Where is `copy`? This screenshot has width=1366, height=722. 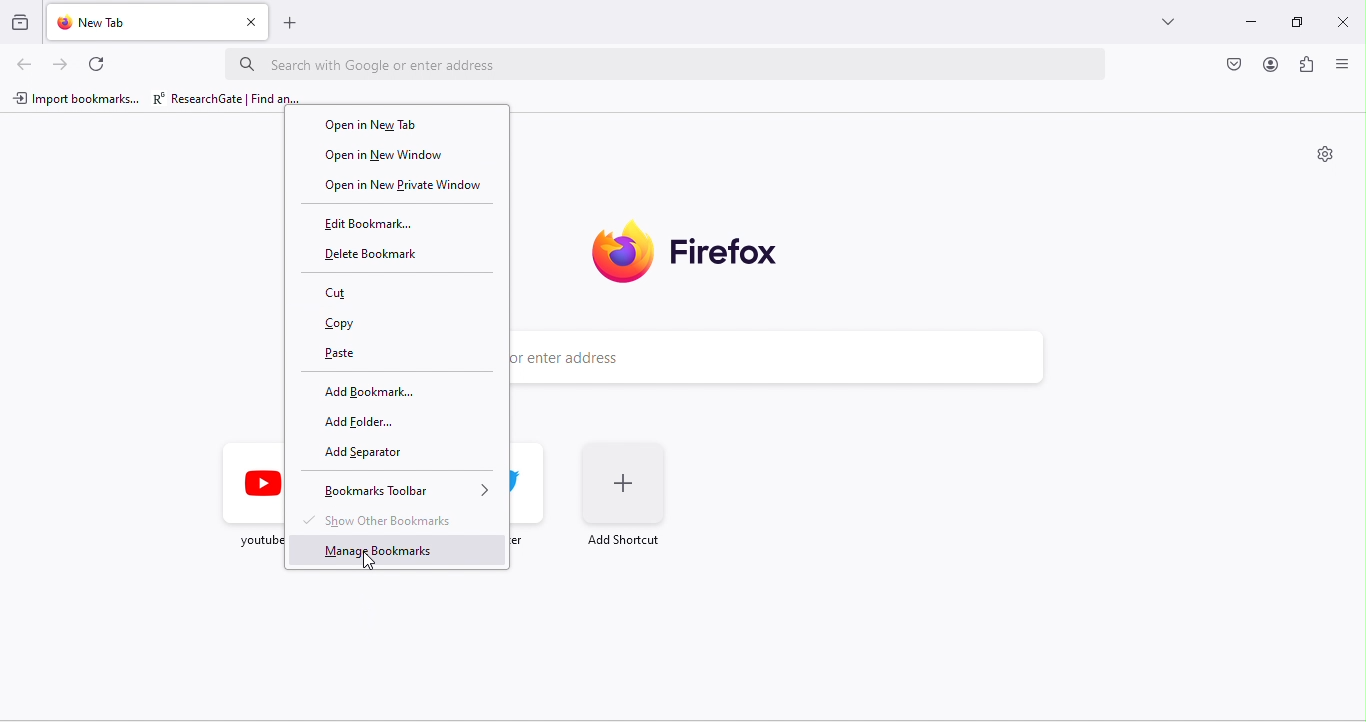
copy is located at coordinates (347, 324).